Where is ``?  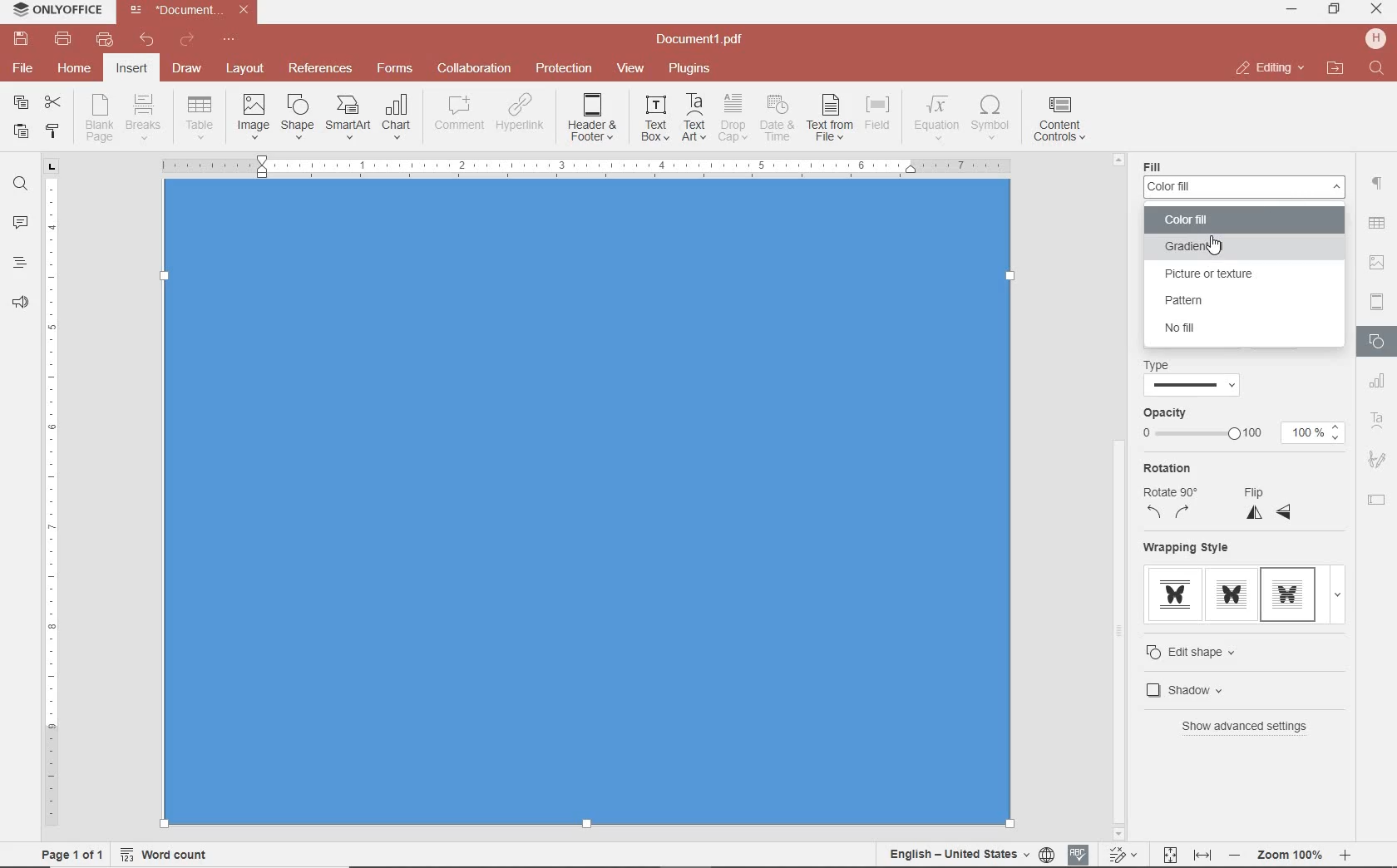
 is located at coordinates (1243, 182).